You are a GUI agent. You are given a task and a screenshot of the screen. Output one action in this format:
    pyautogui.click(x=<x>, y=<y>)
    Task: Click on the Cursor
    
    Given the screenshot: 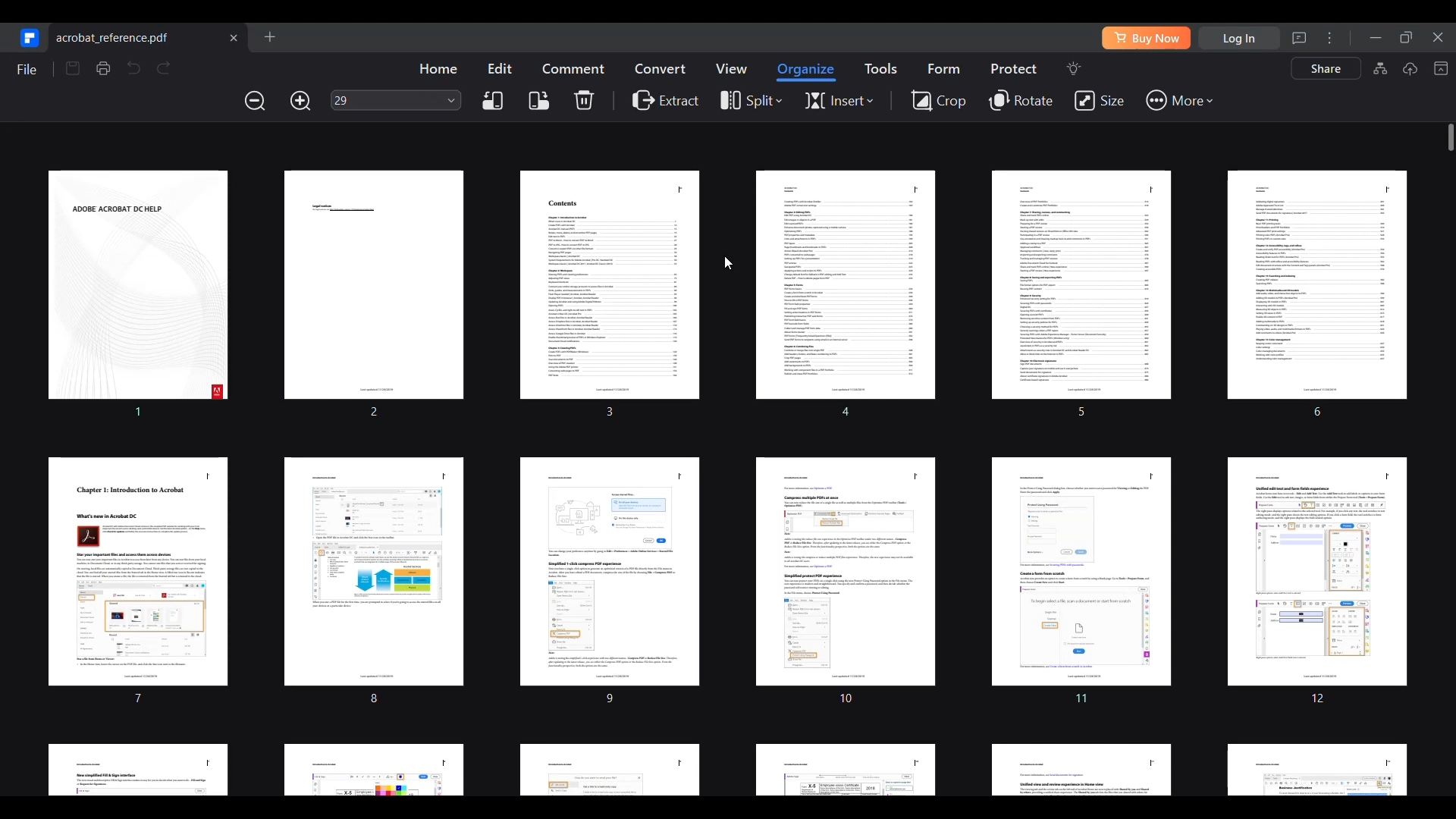 What is the action you would take?
    pyautogui.click(x=729, y=263)
    